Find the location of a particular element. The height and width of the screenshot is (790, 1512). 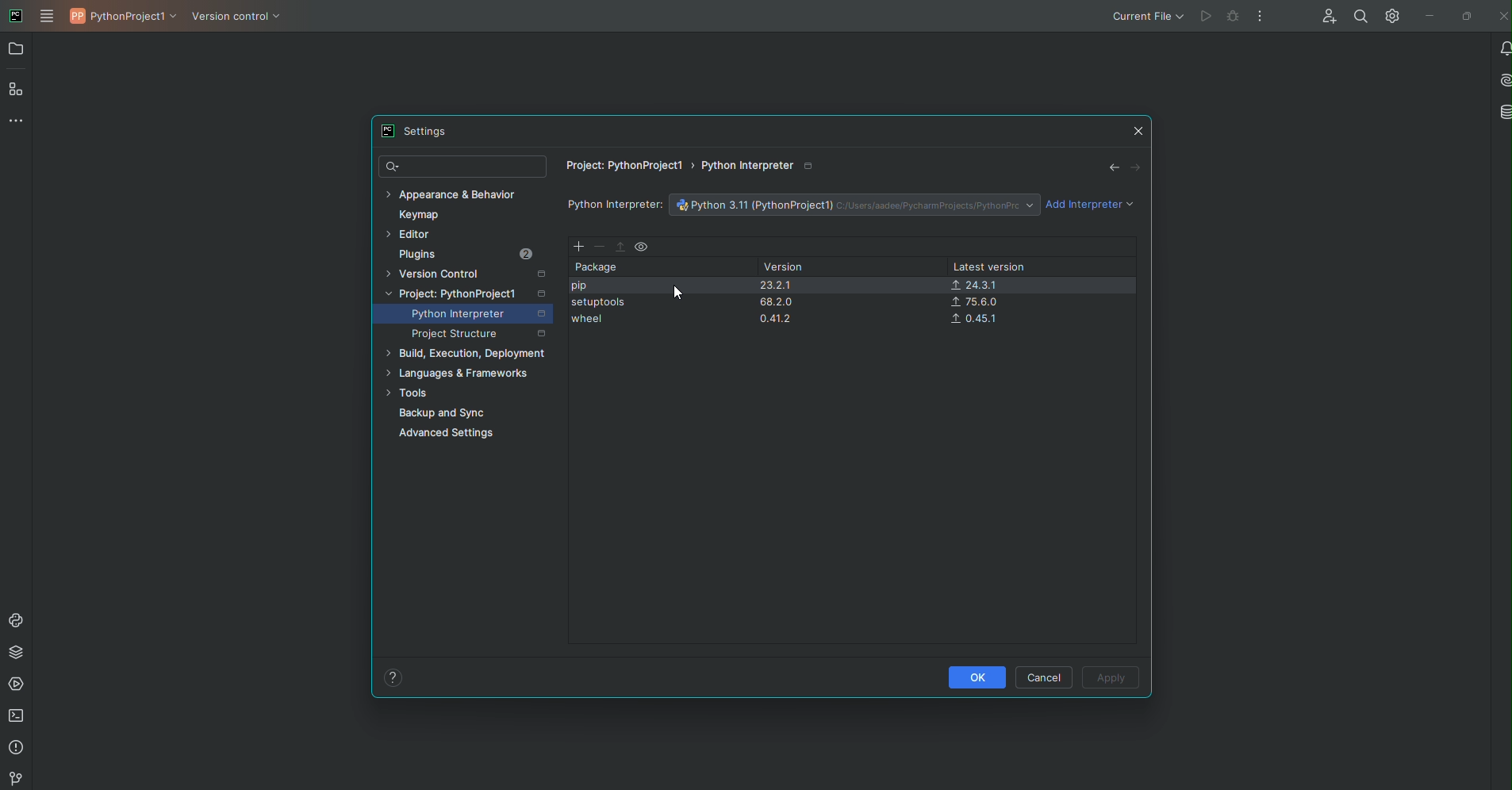

Python Interpreter is located at coordinates (481, 314).